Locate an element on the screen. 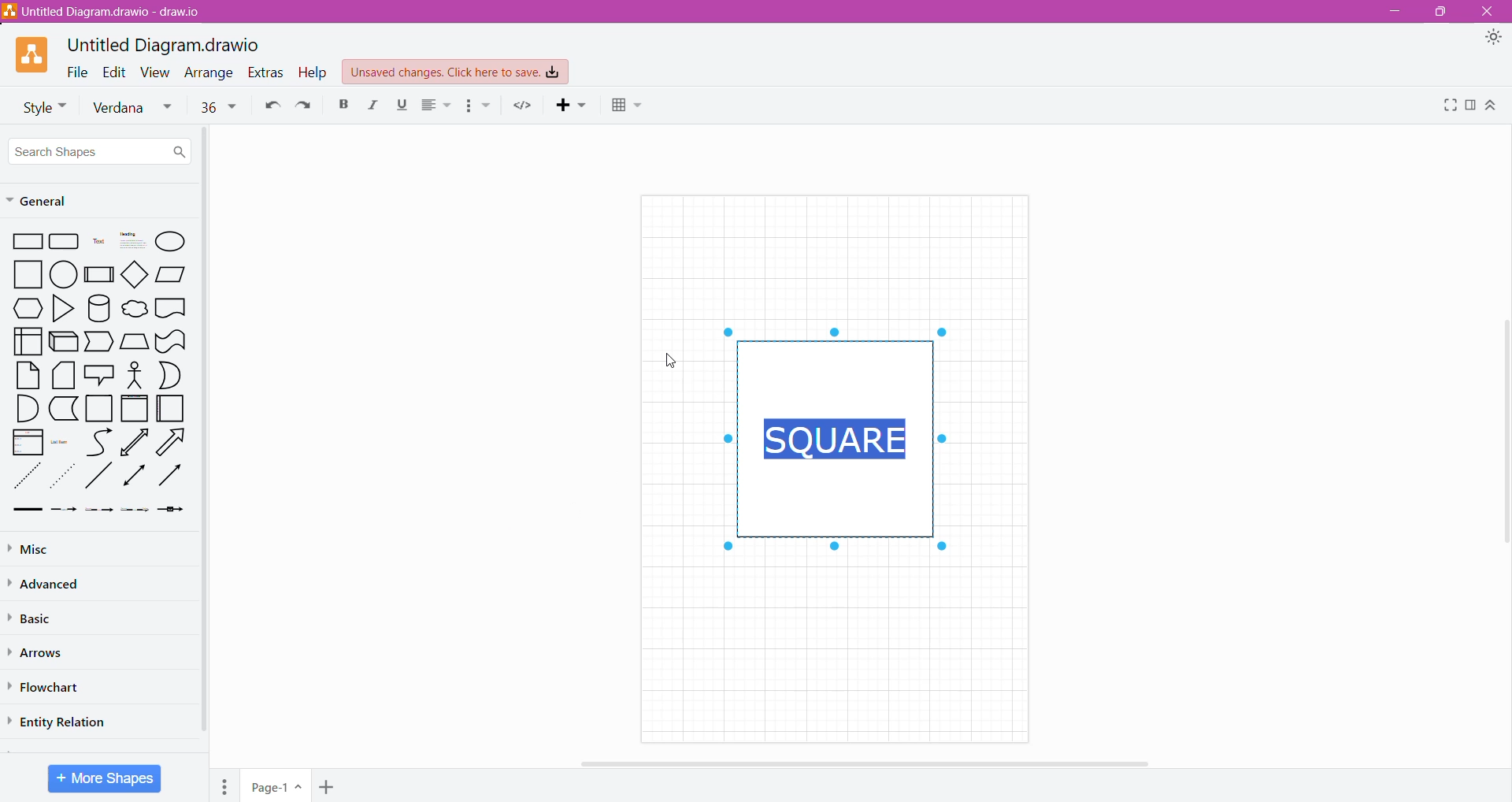  Underline is located at coordinates (399, 109).